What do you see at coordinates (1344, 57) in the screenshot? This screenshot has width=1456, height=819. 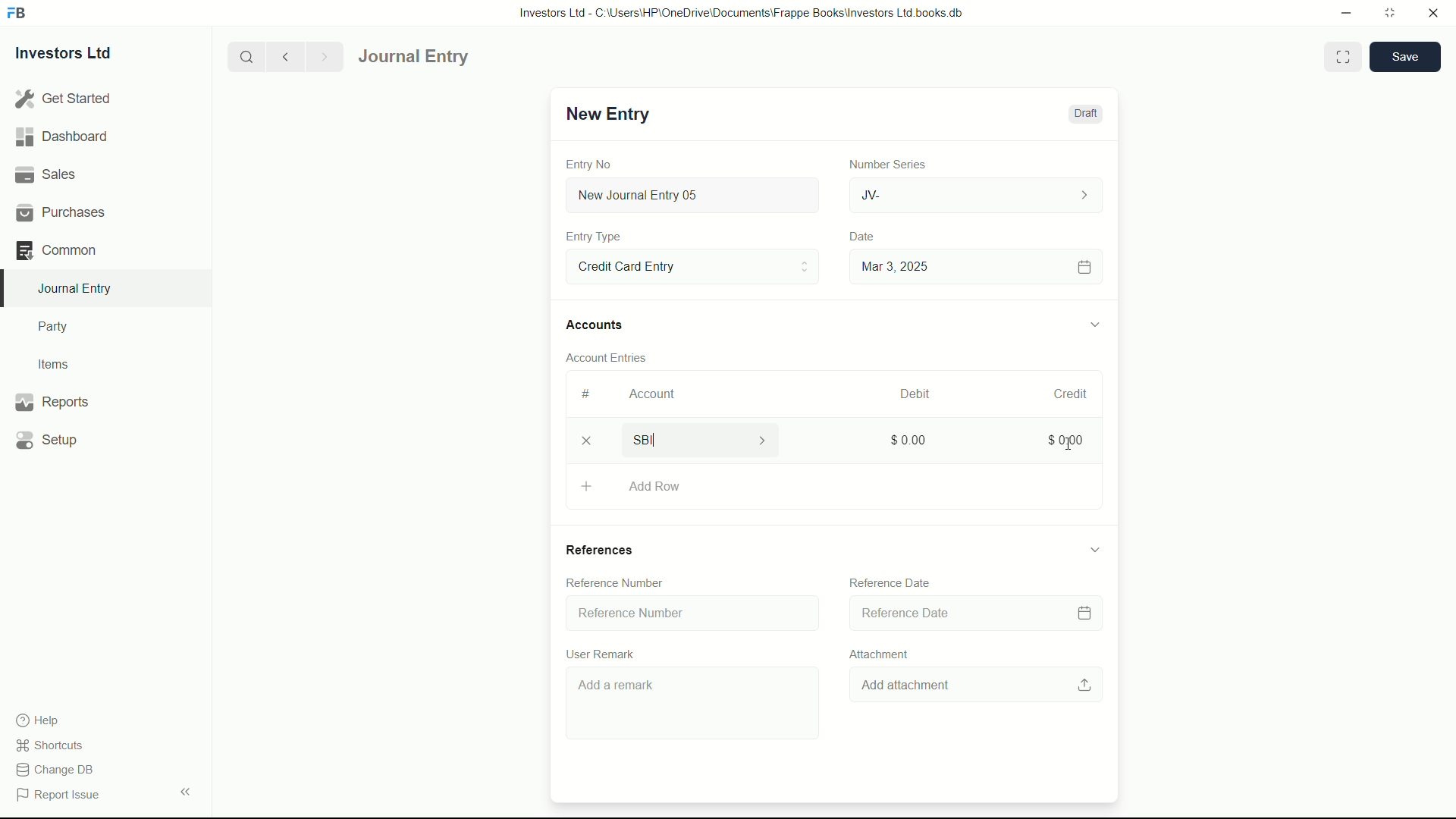 I see `Toggle between form and full width` at bounding box center [1344, 57].